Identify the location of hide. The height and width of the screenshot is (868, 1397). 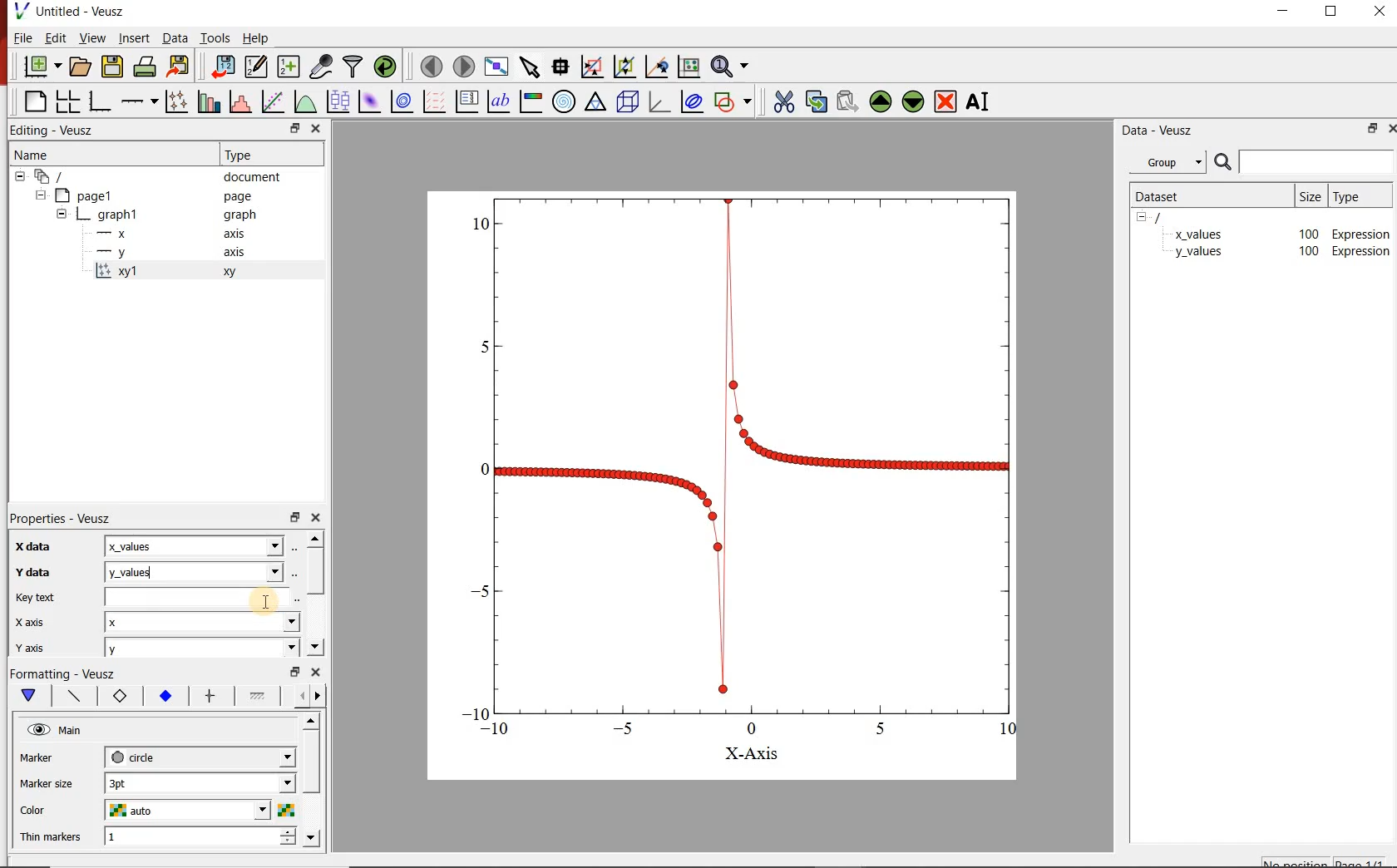
(1147, 218).